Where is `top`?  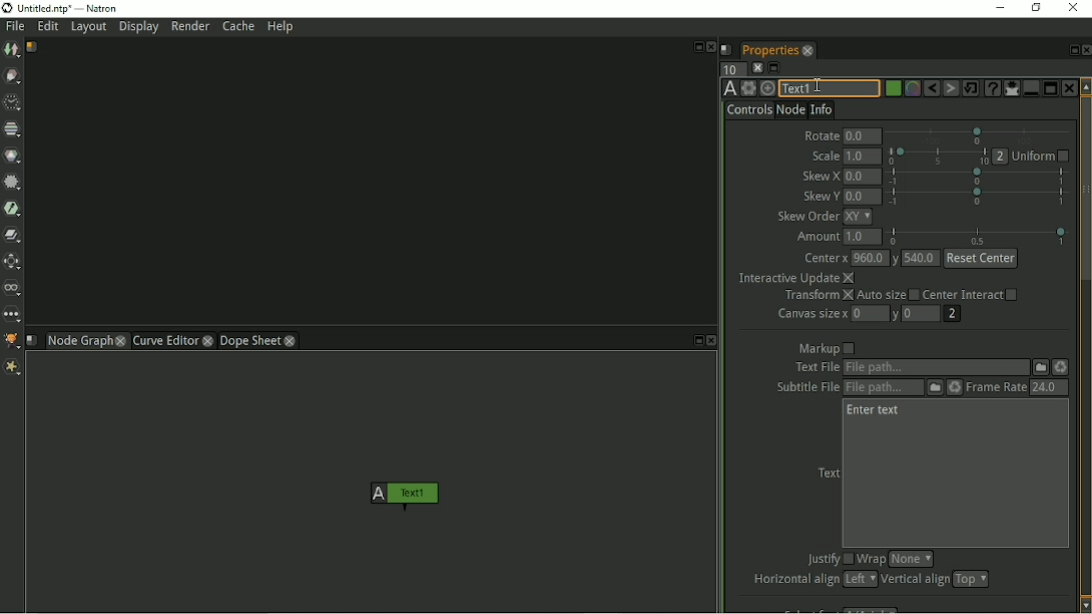 top is located at coordinates (971, 579).